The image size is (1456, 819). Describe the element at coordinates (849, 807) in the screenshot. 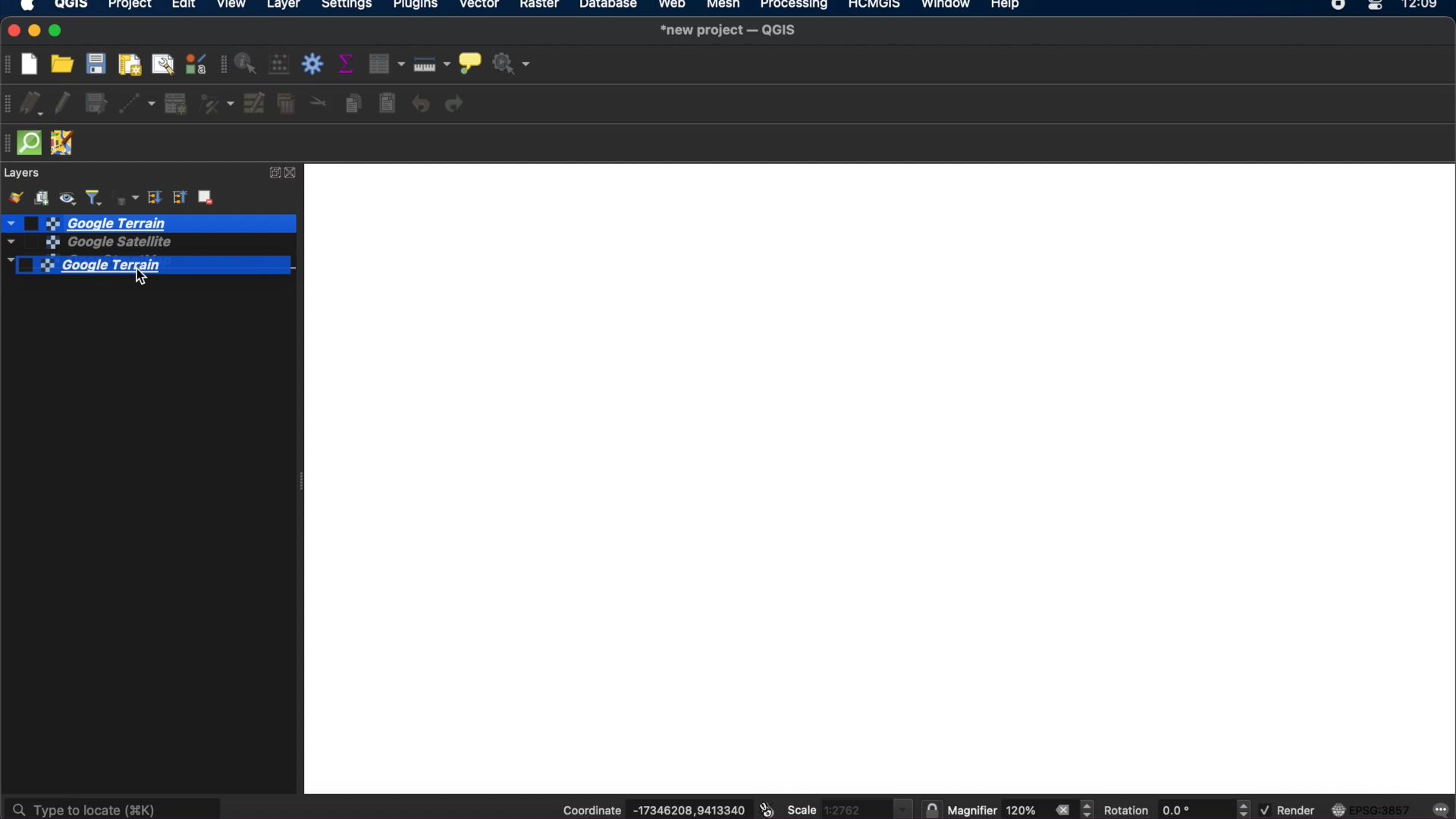

I see `scale 1.2762` at that location.